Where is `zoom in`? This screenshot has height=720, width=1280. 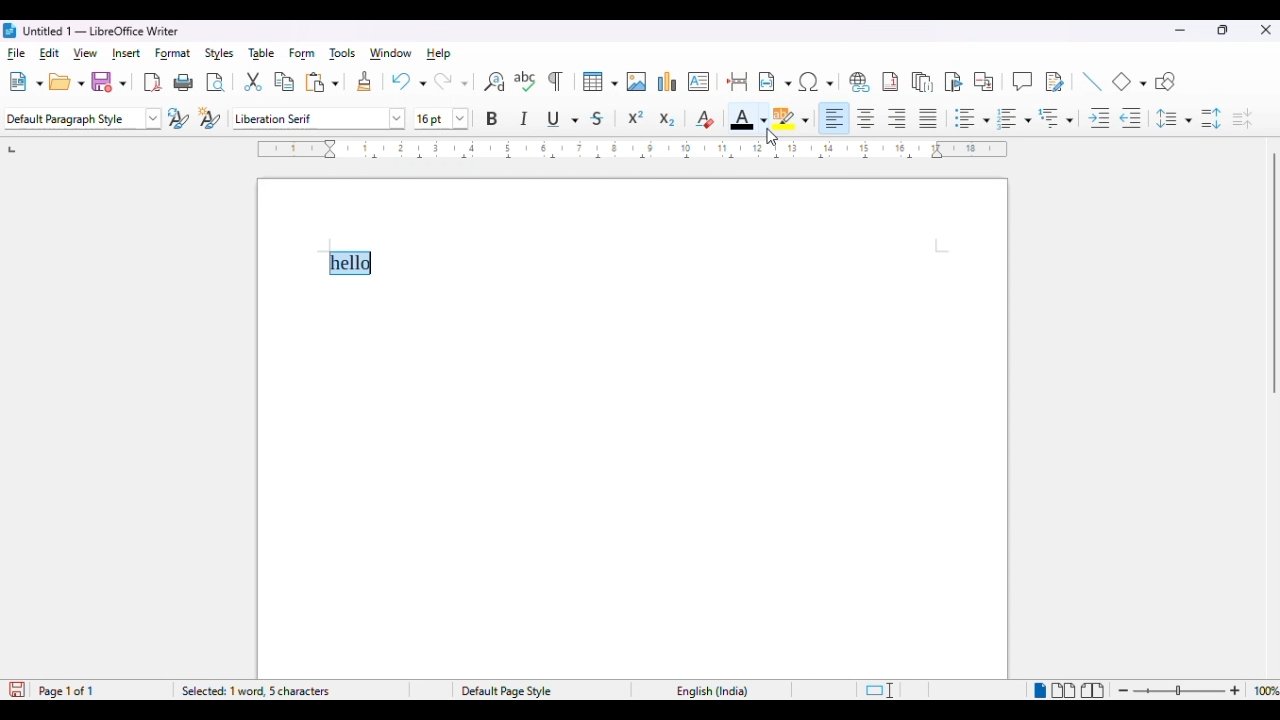 zoom in is located at coordinates (1234, 691).